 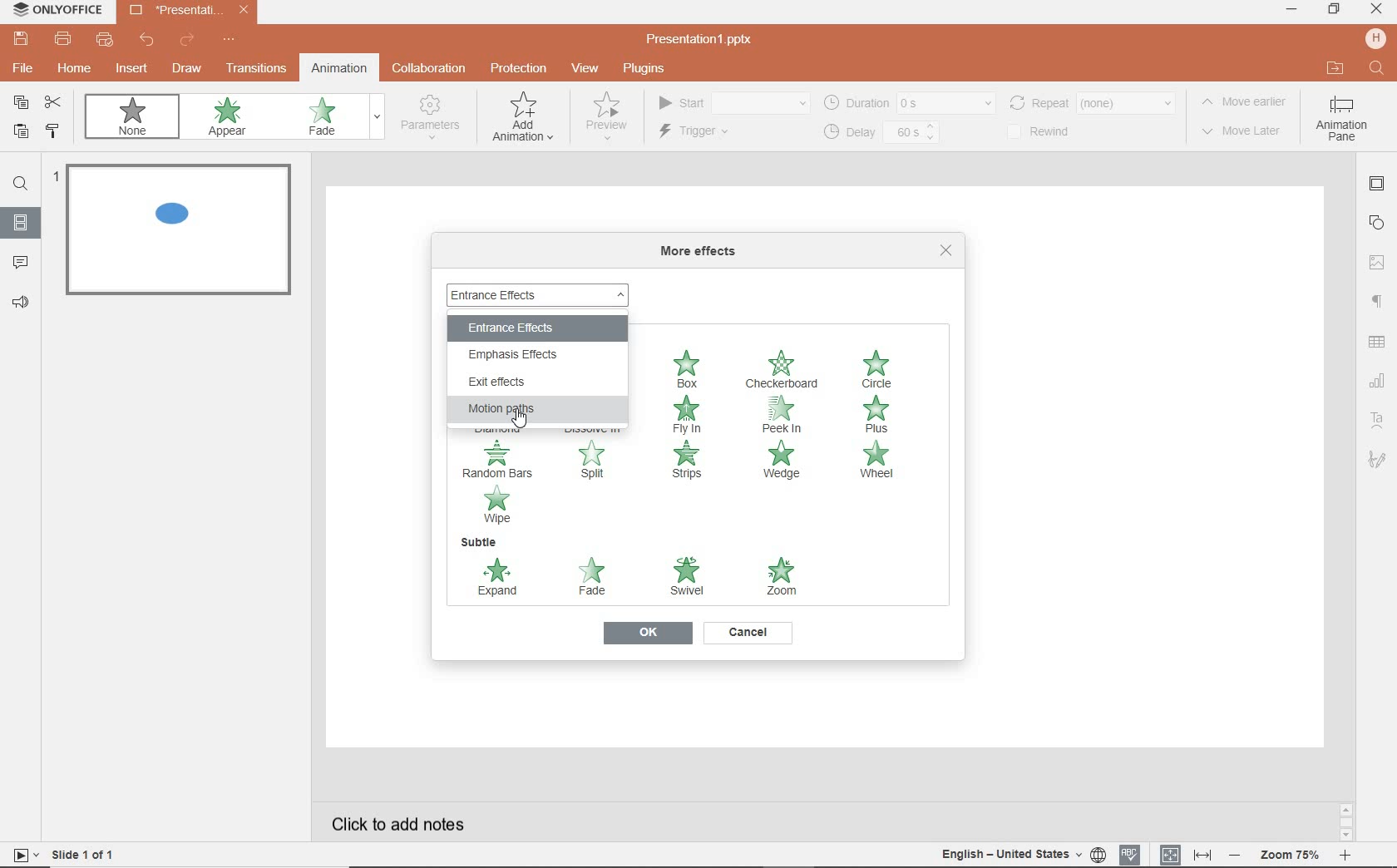 I want to click on save, so click(x=20, y=39).